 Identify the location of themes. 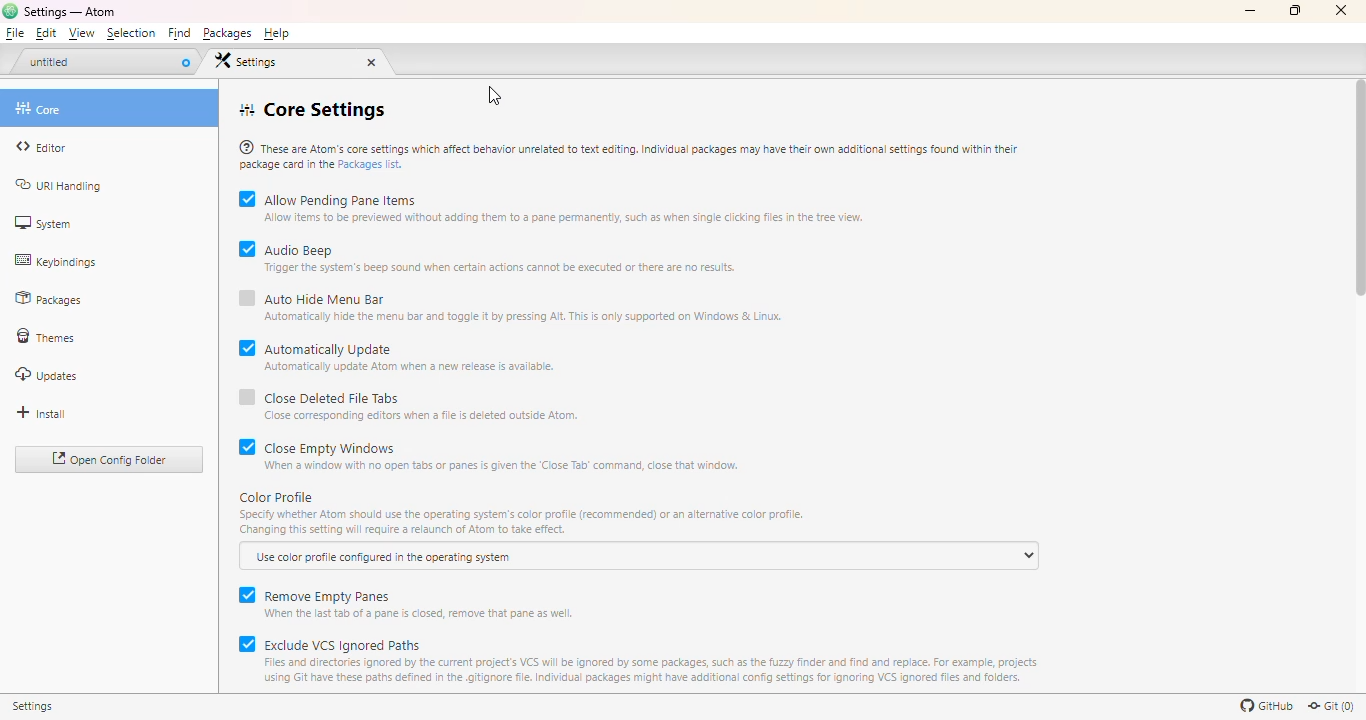
(47, 338).